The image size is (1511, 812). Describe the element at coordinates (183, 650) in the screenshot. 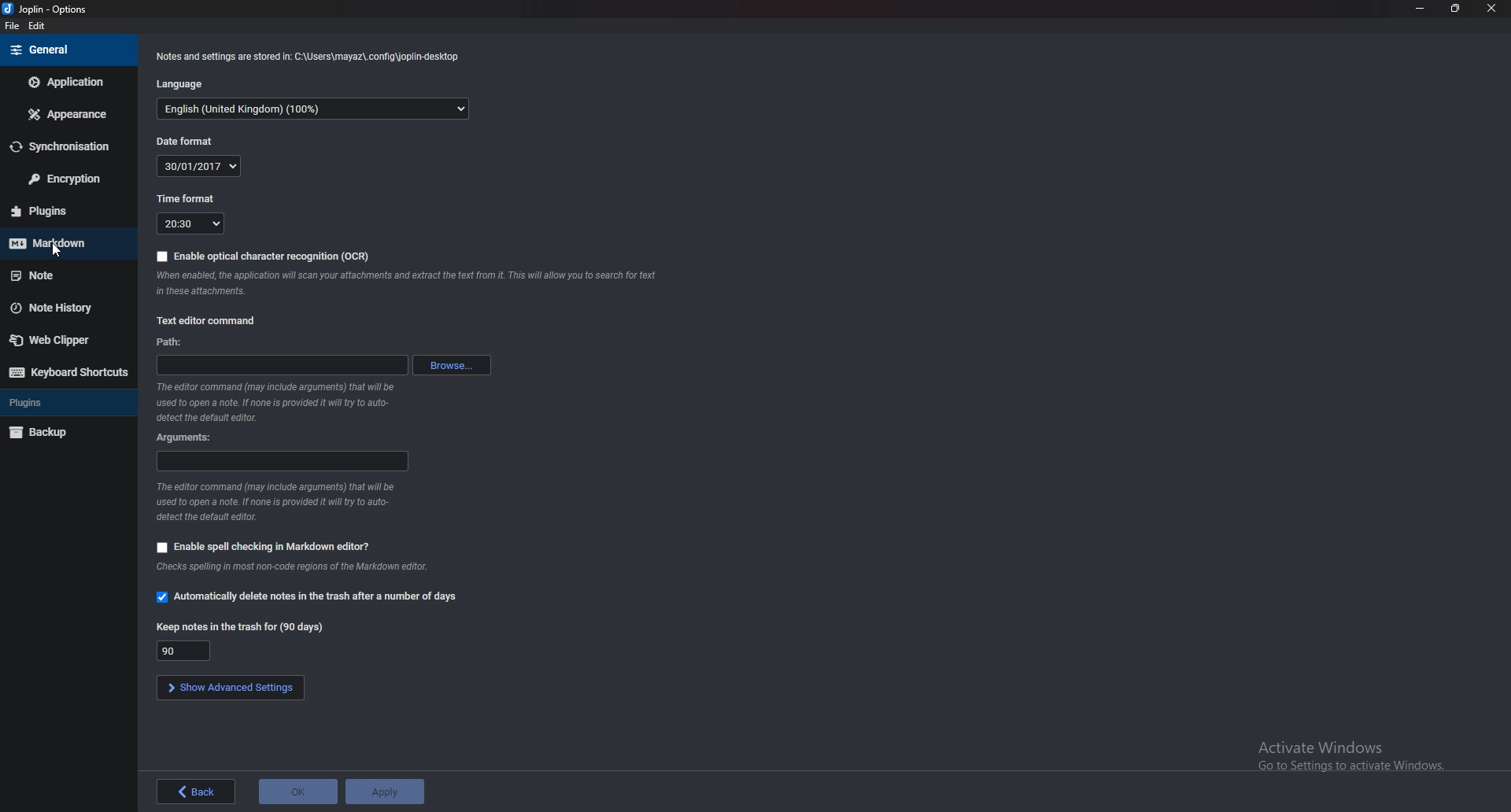

I see `Keep notes in trash for 90 days` at that location.